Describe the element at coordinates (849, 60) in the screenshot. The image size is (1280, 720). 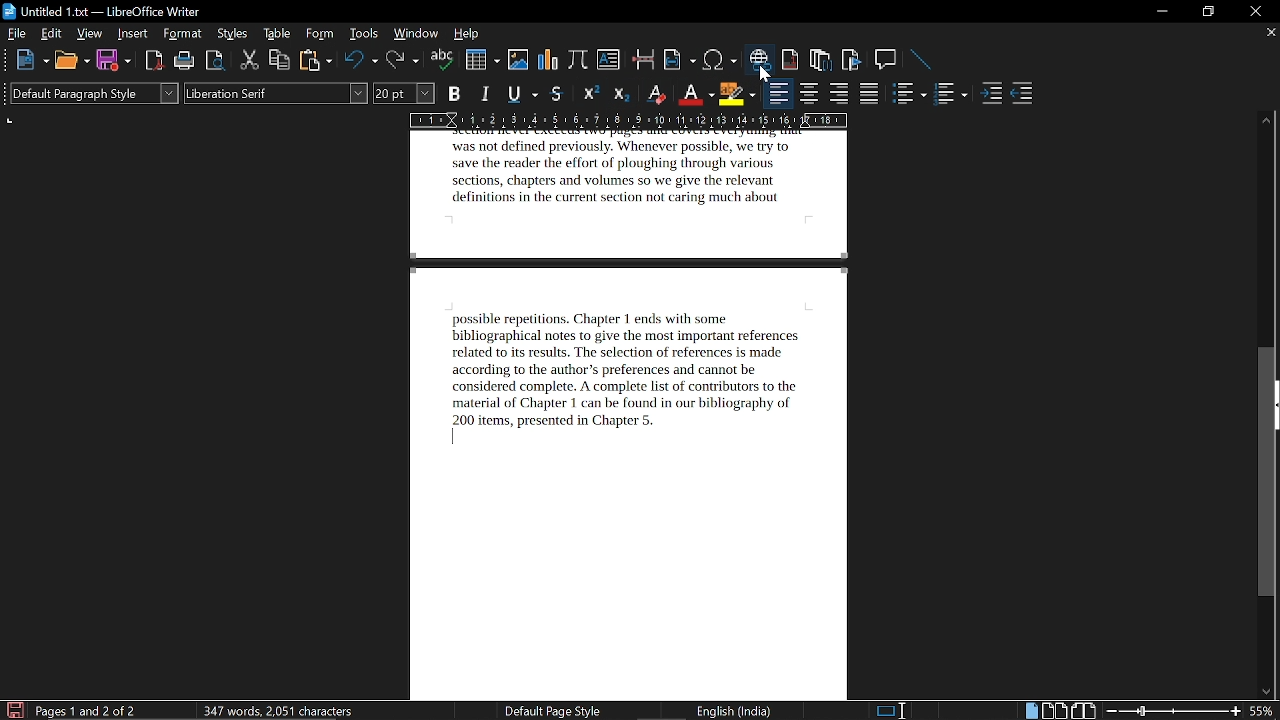
I see `insert bibliography` at that location.